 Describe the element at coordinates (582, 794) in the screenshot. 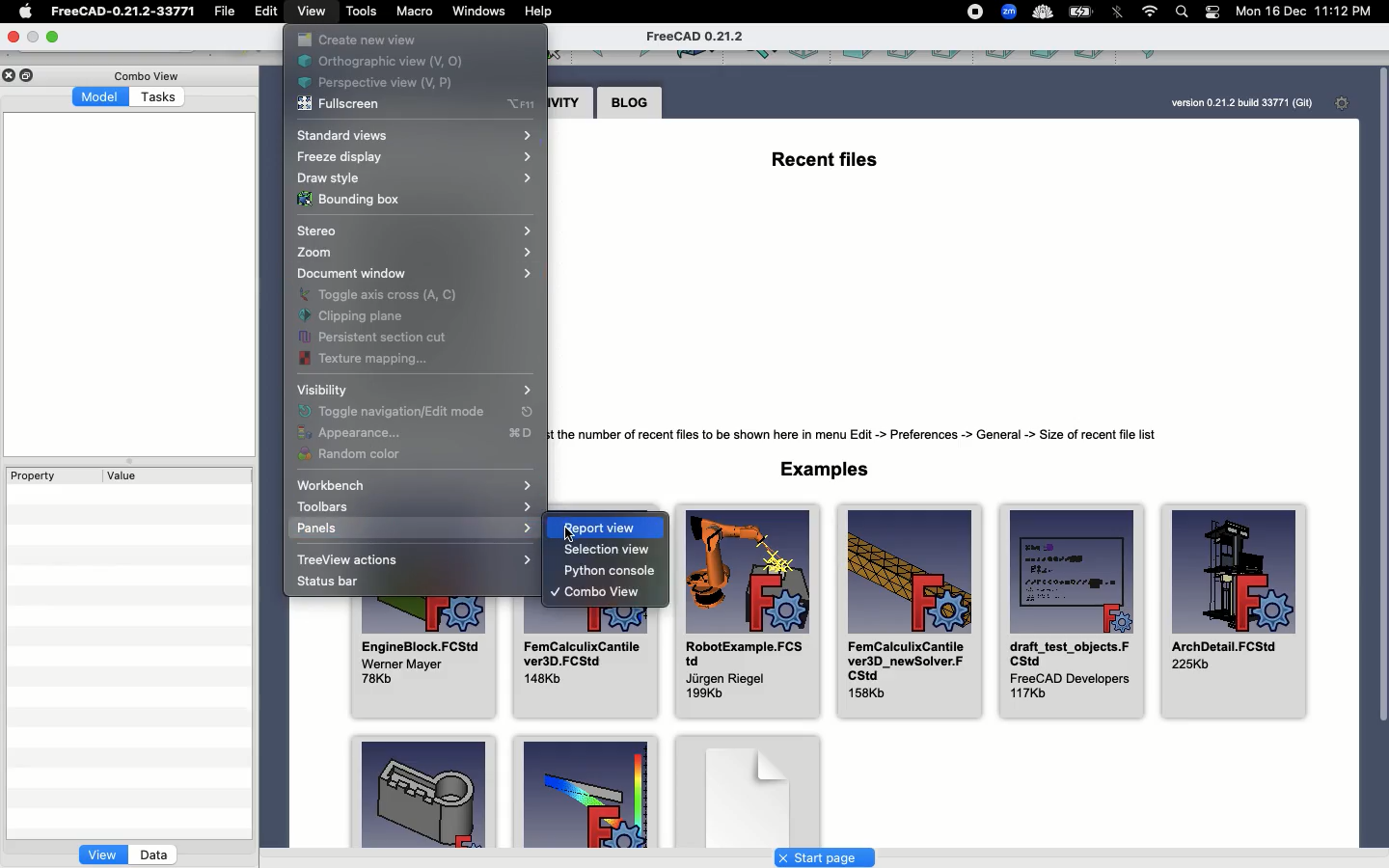

I see `Examples` at that location.